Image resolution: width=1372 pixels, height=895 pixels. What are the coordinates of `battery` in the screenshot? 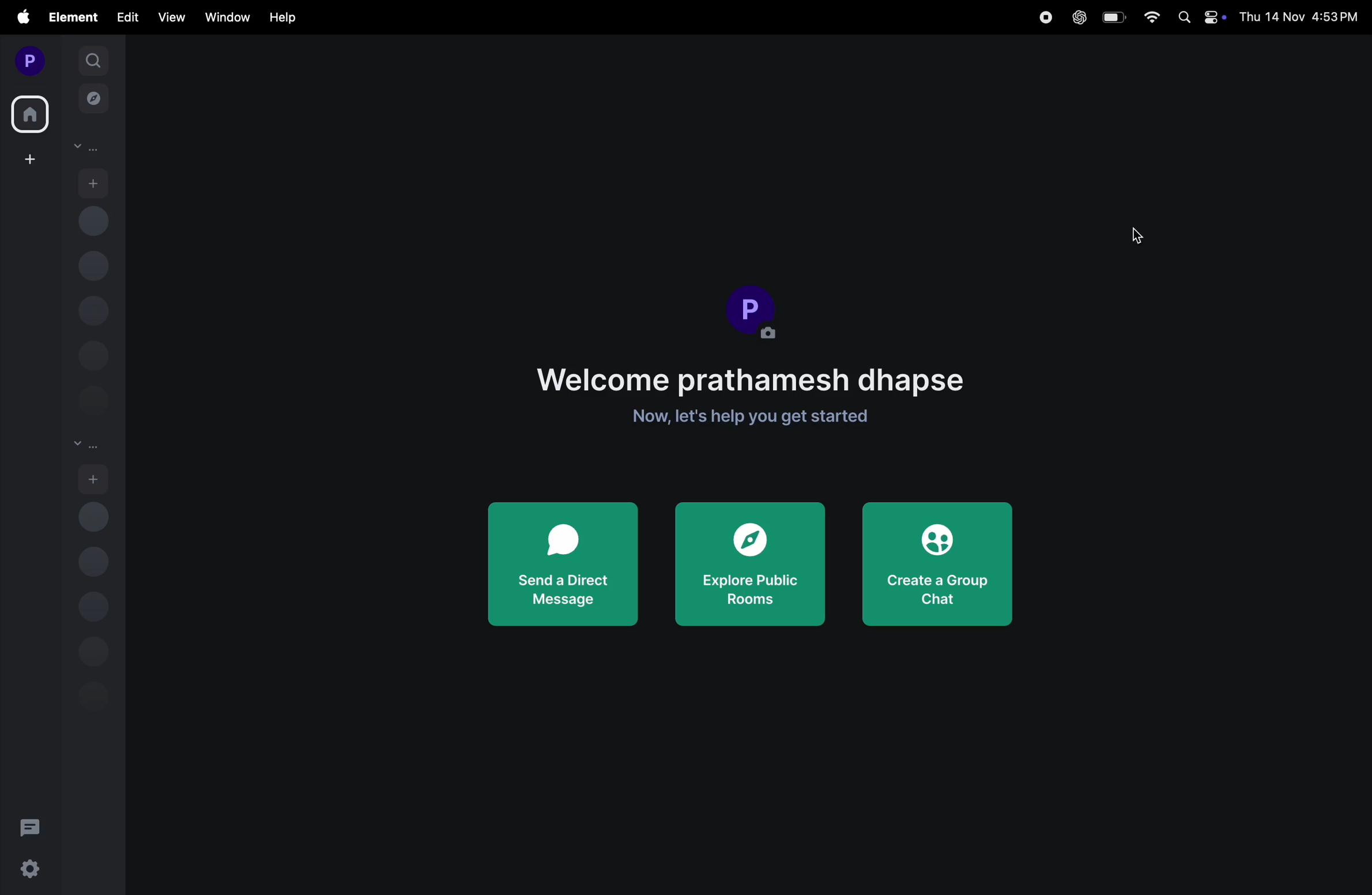 It's located at (1114, 18).